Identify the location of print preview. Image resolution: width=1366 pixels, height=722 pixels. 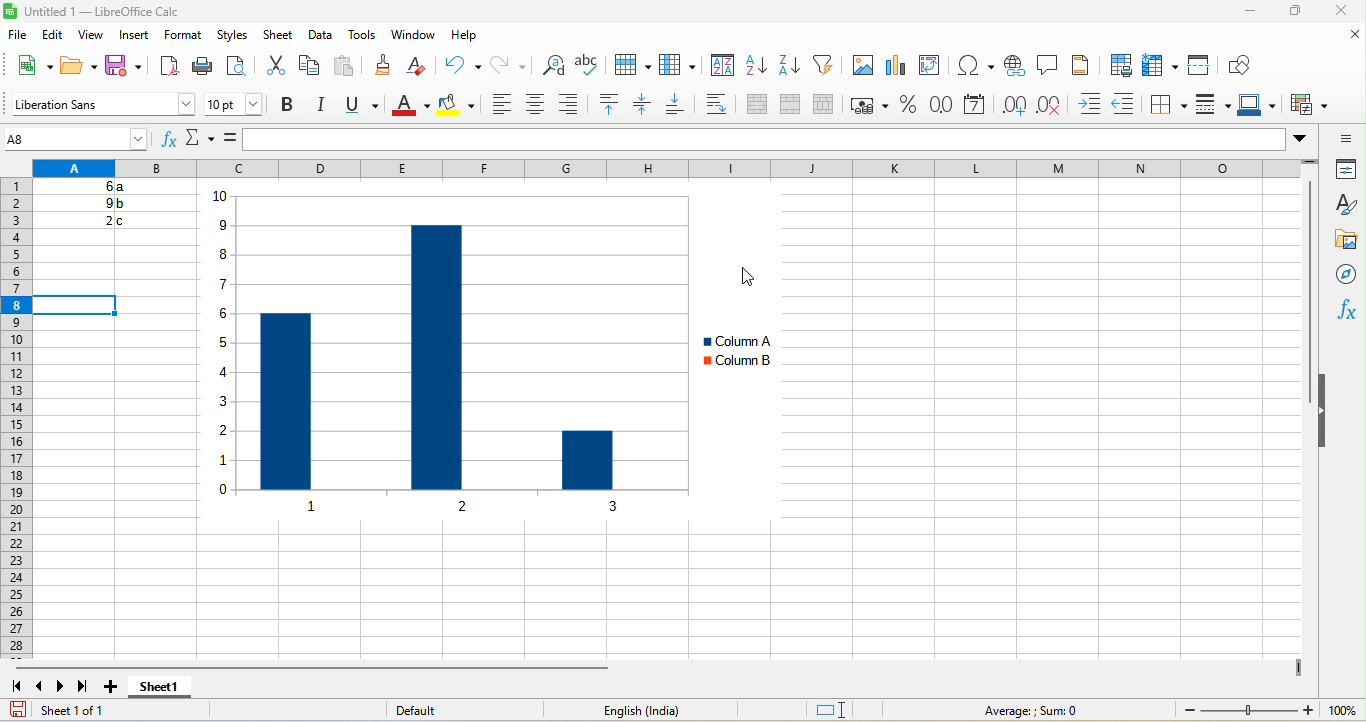
(239, 65).